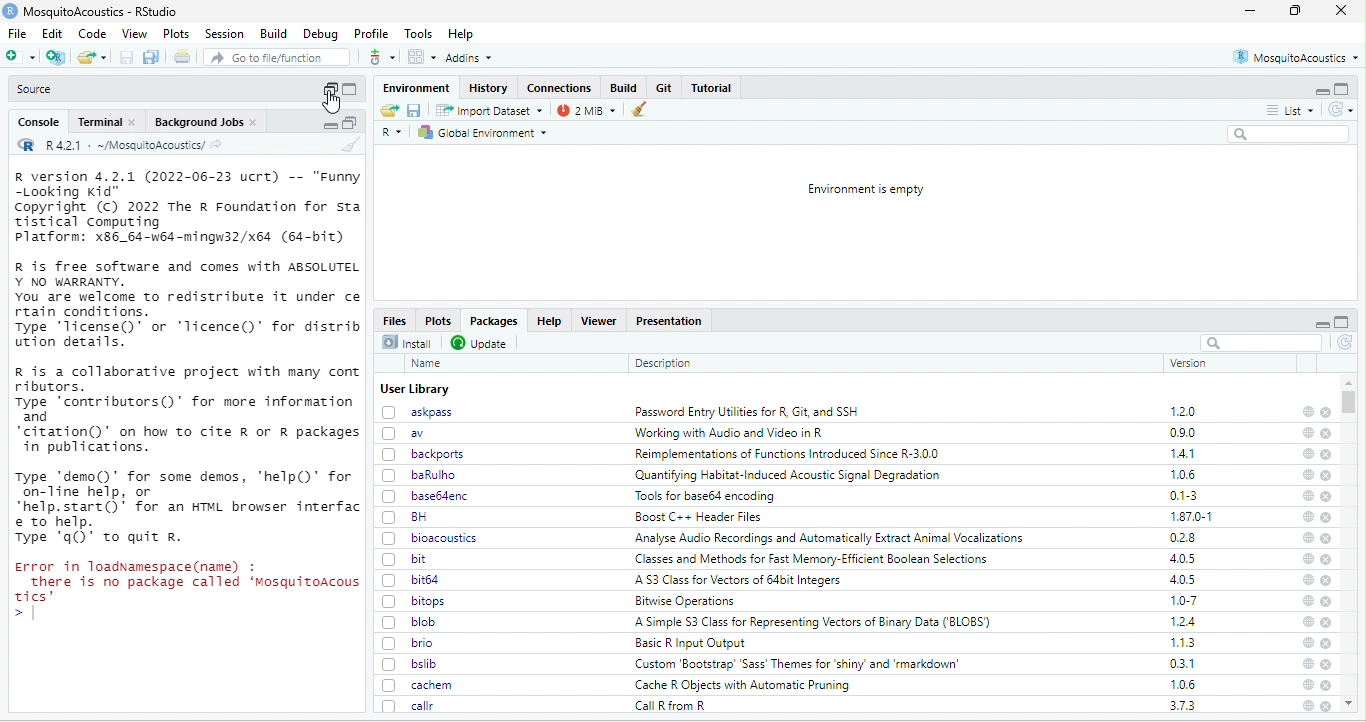 This screenshot has height=722, width=1366. What do you see at coordinates (411, 663) in the screenshot?
I see `bslib` at bounding box center [411, 663].